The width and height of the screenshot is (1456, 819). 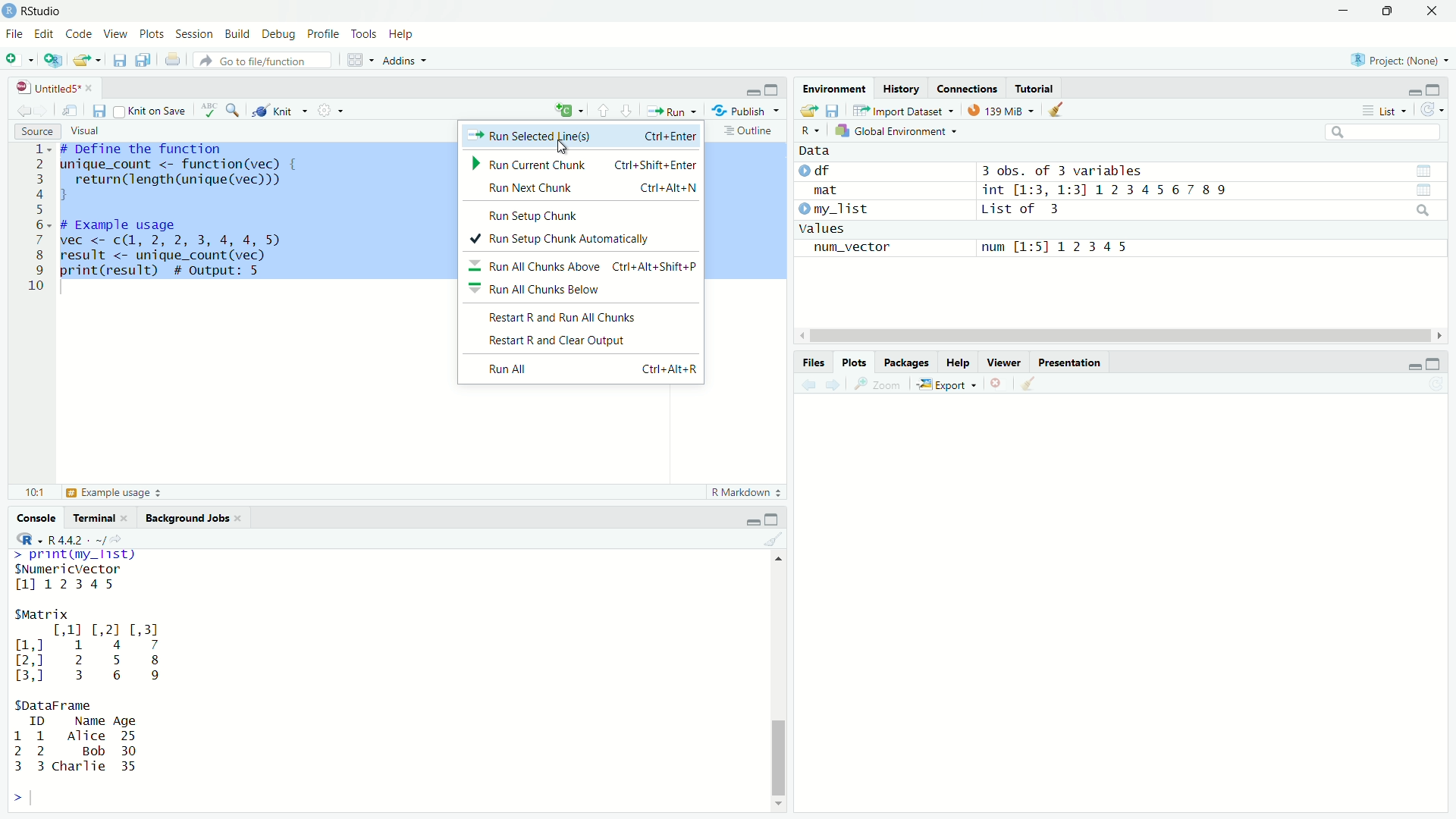 I want to click on Publish, so click(x=744, y=110).